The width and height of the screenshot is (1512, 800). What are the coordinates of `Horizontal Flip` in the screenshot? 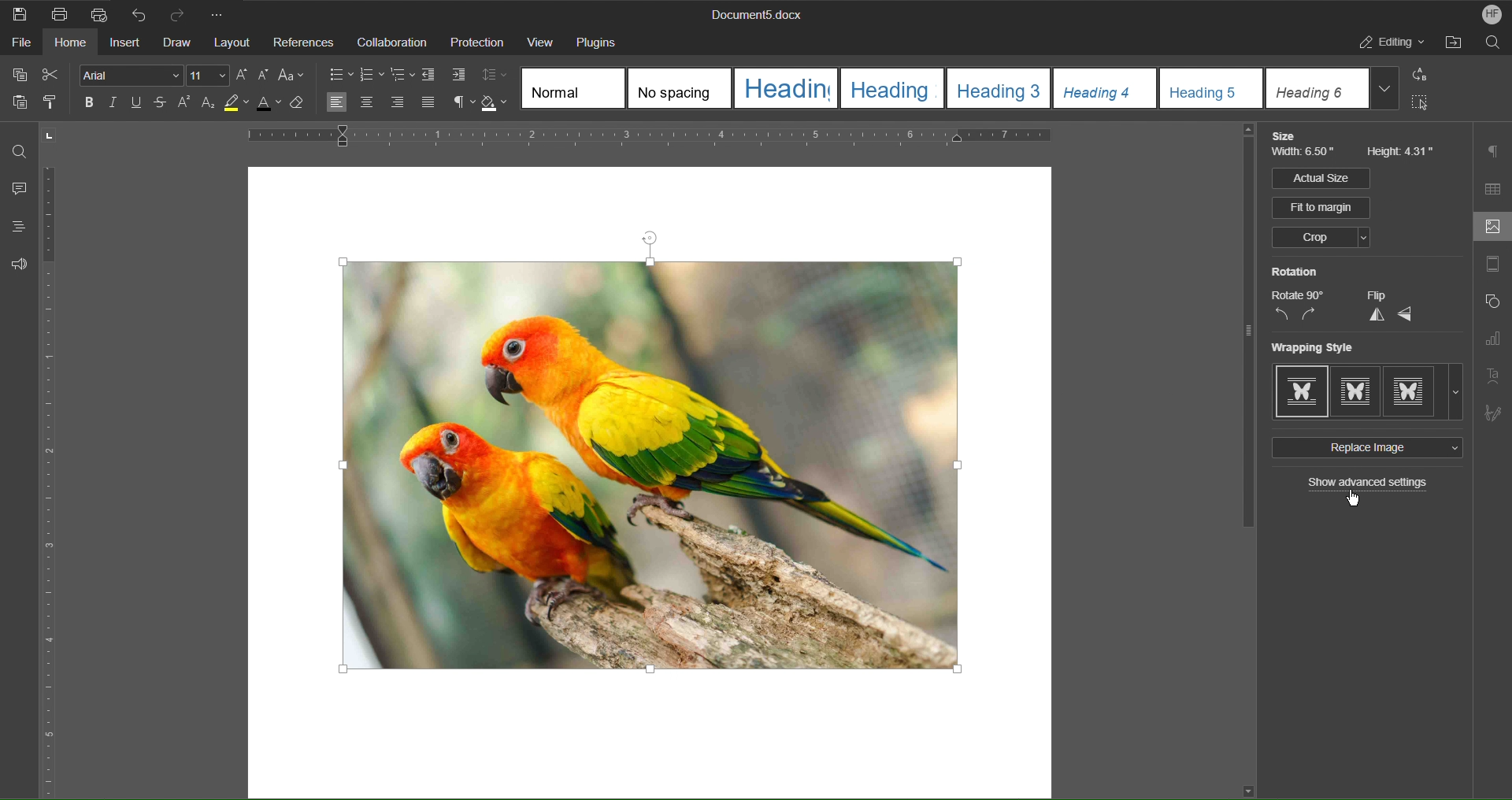 It's located at (1406, 315).